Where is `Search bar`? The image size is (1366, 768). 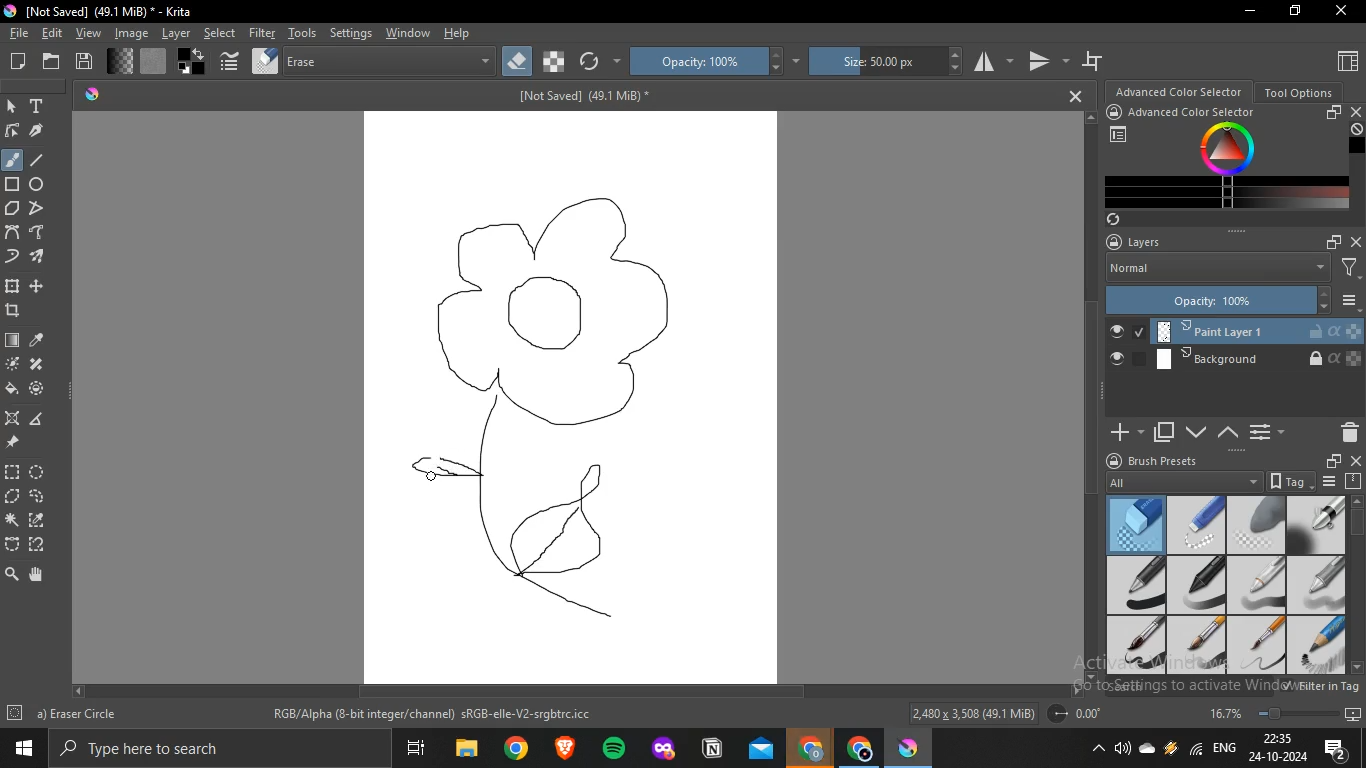 Search bar is located at coordinates (222, 749).